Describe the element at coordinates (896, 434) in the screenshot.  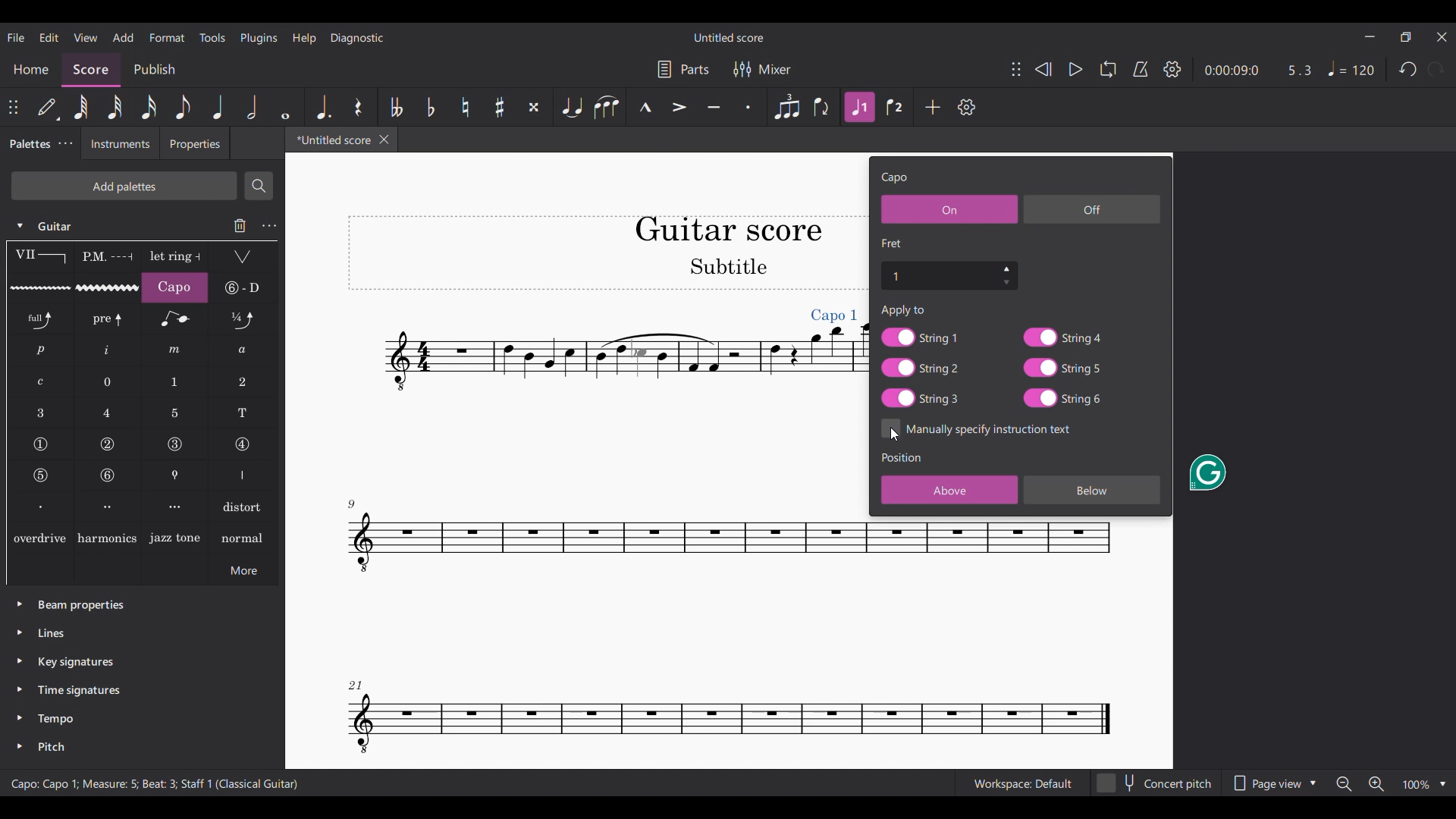
I see `Cursor` at that location.